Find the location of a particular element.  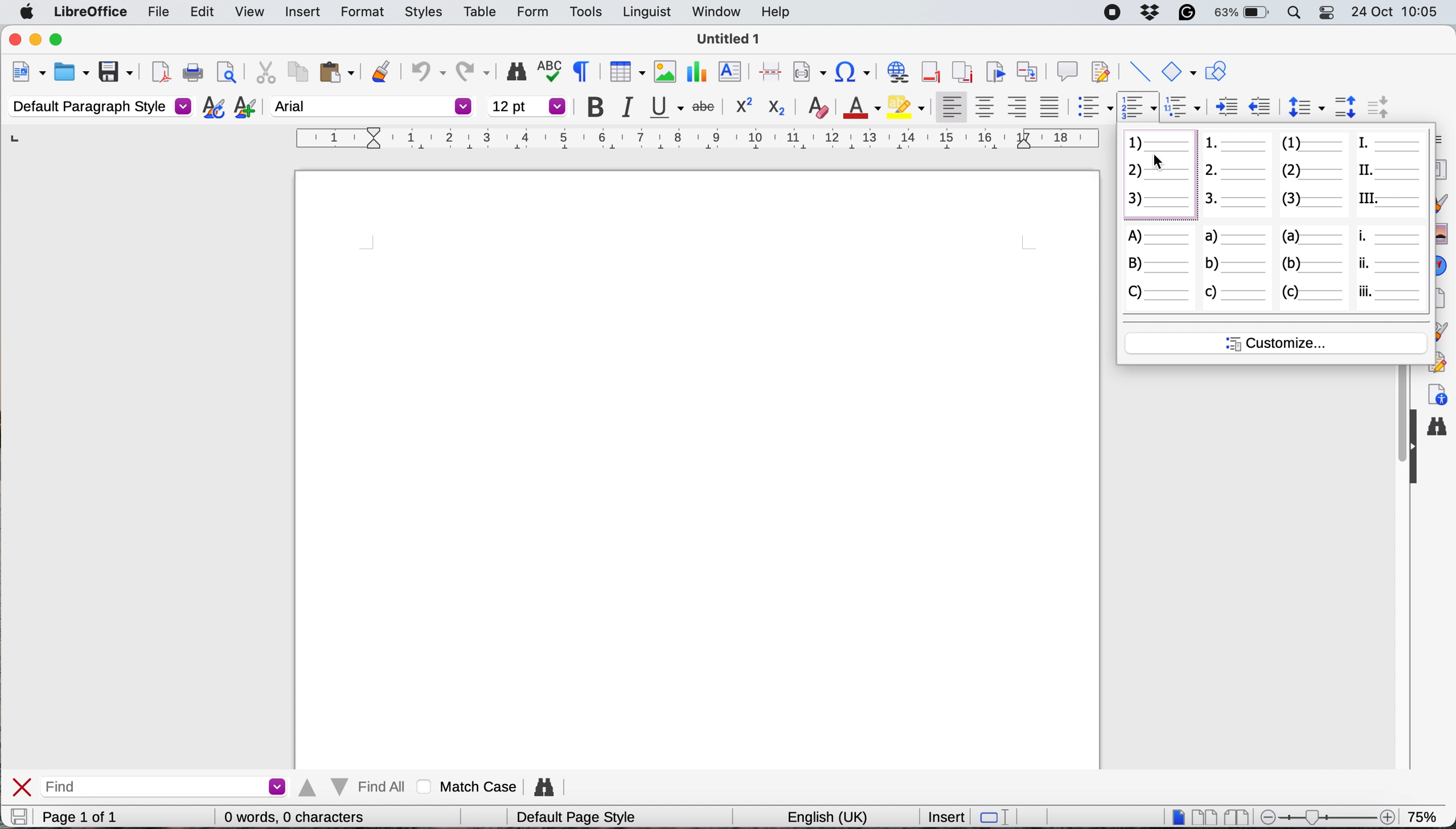

new is located at coordinates (27, 74).